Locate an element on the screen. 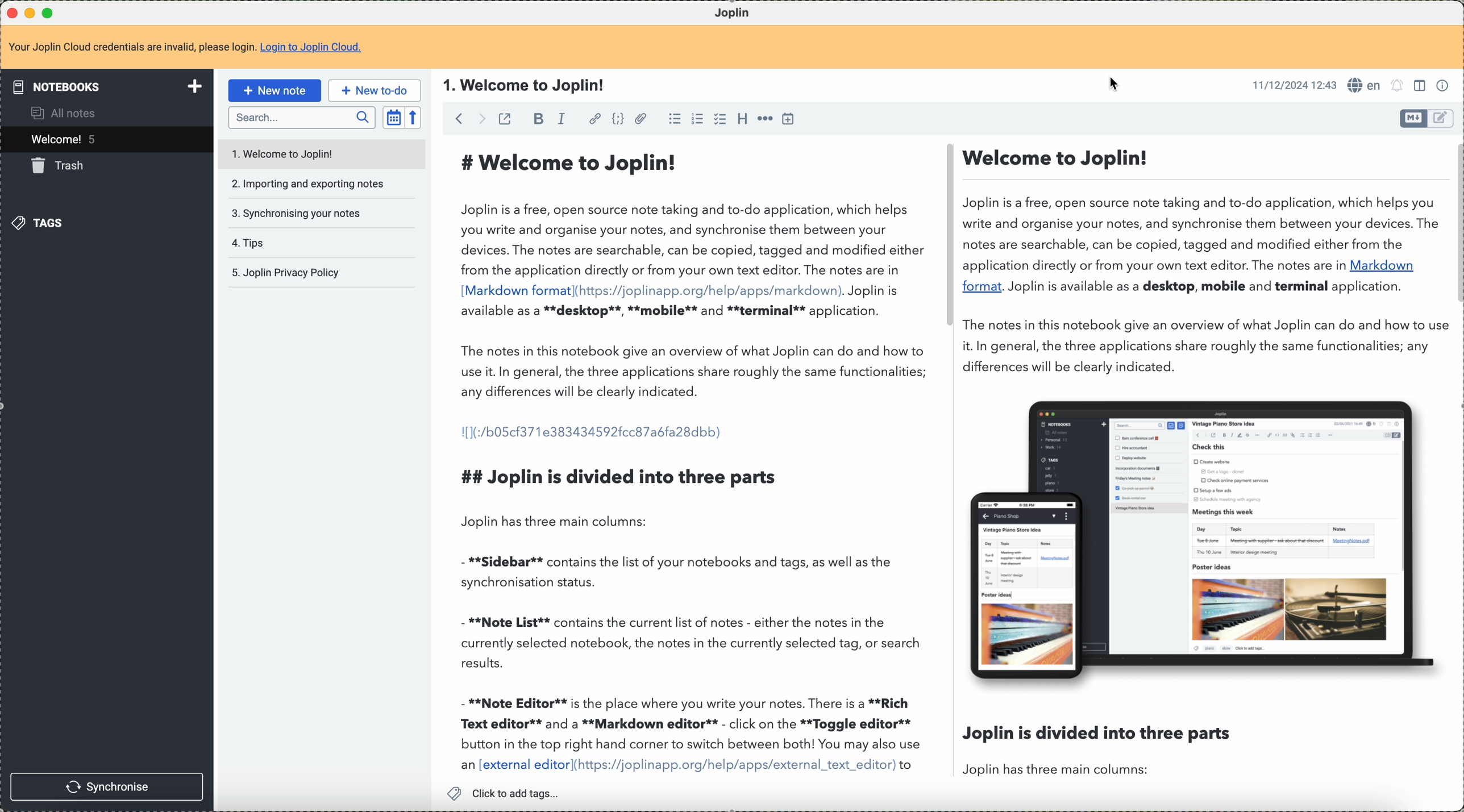  navigate back note is located at coordinates (461, 118).